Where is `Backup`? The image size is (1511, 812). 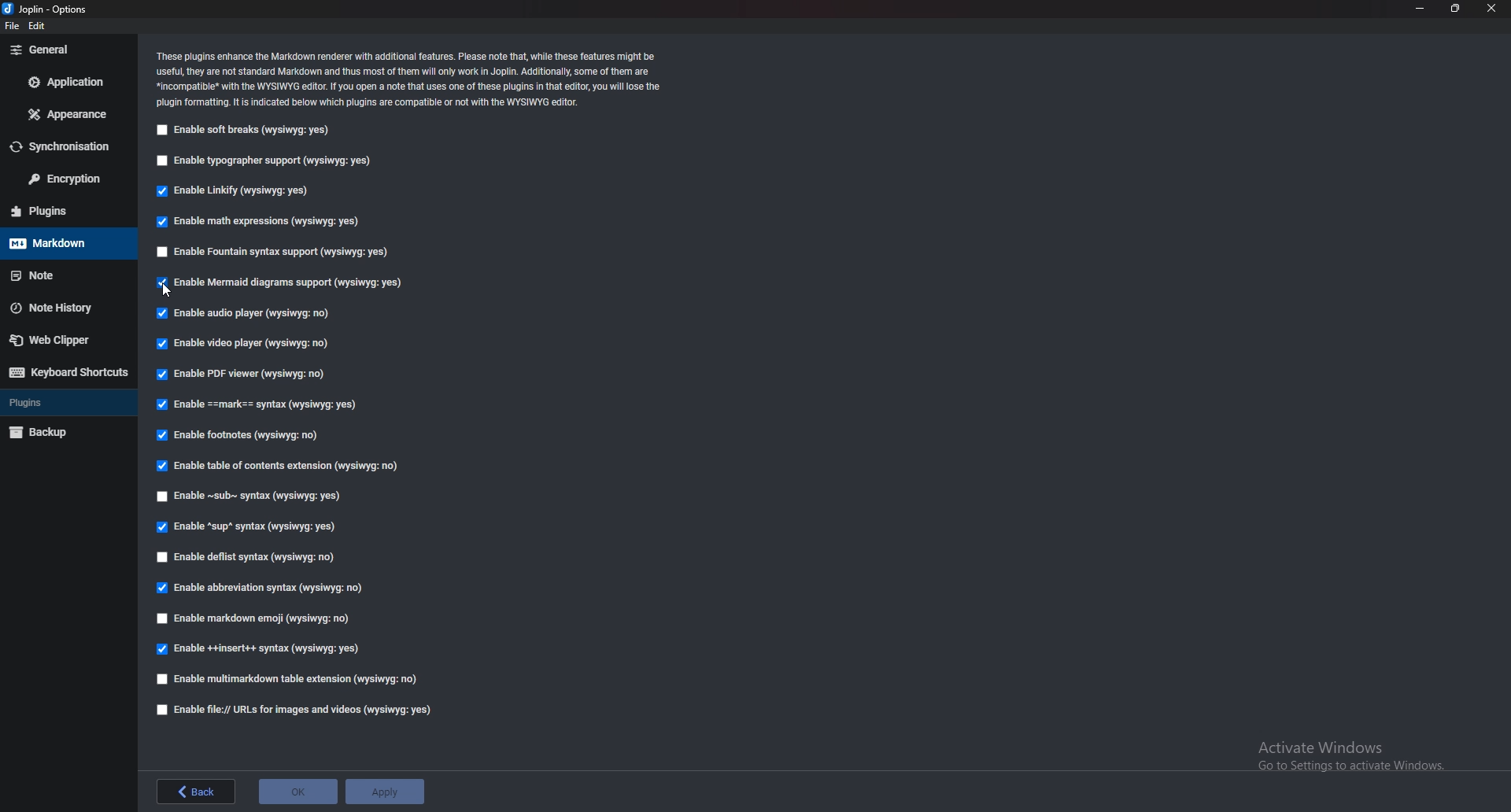 Backup is located at coordinates (62, 432).